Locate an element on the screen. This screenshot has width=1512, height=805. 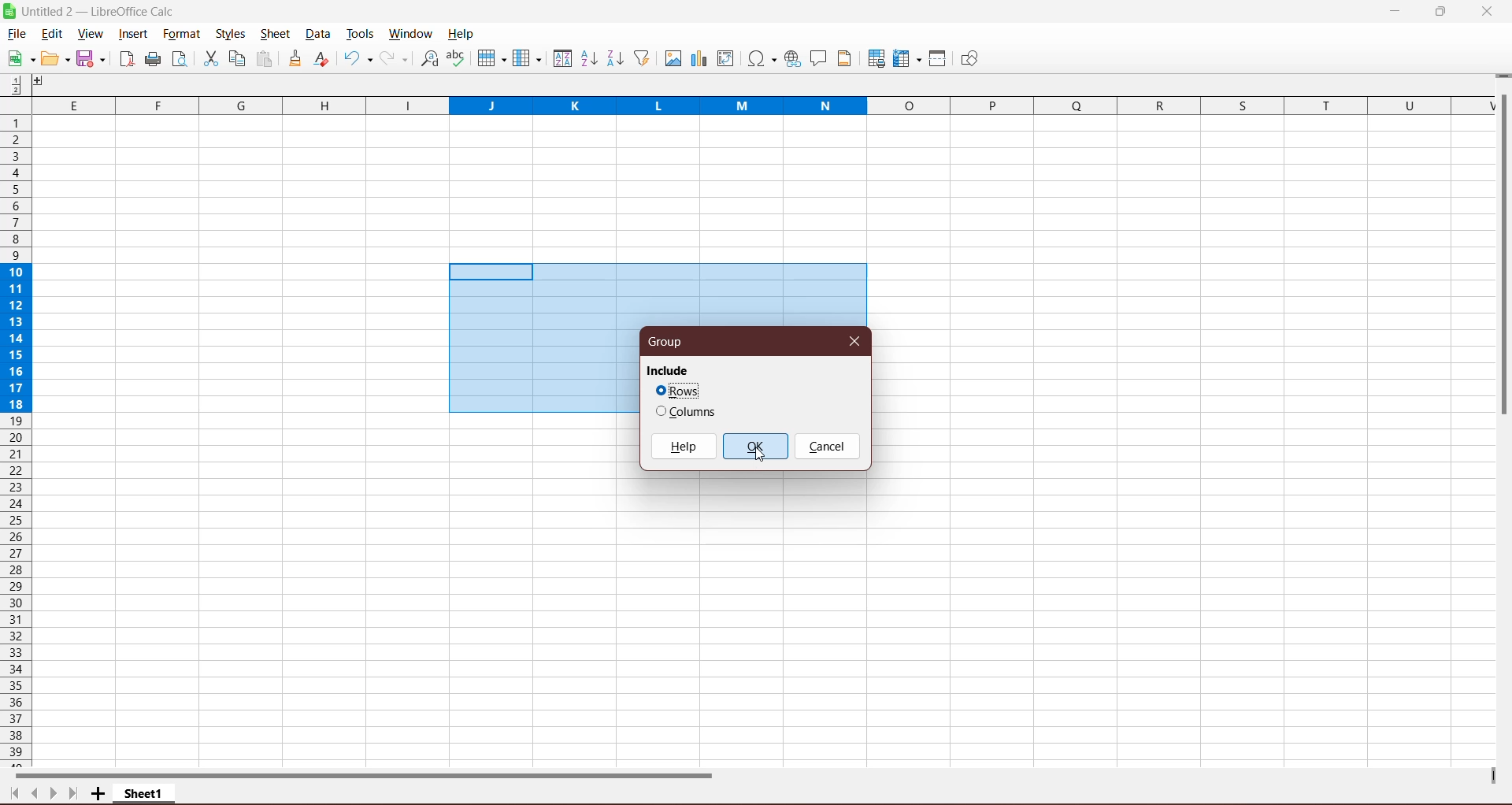
Data is located at coordinates (318, 34).